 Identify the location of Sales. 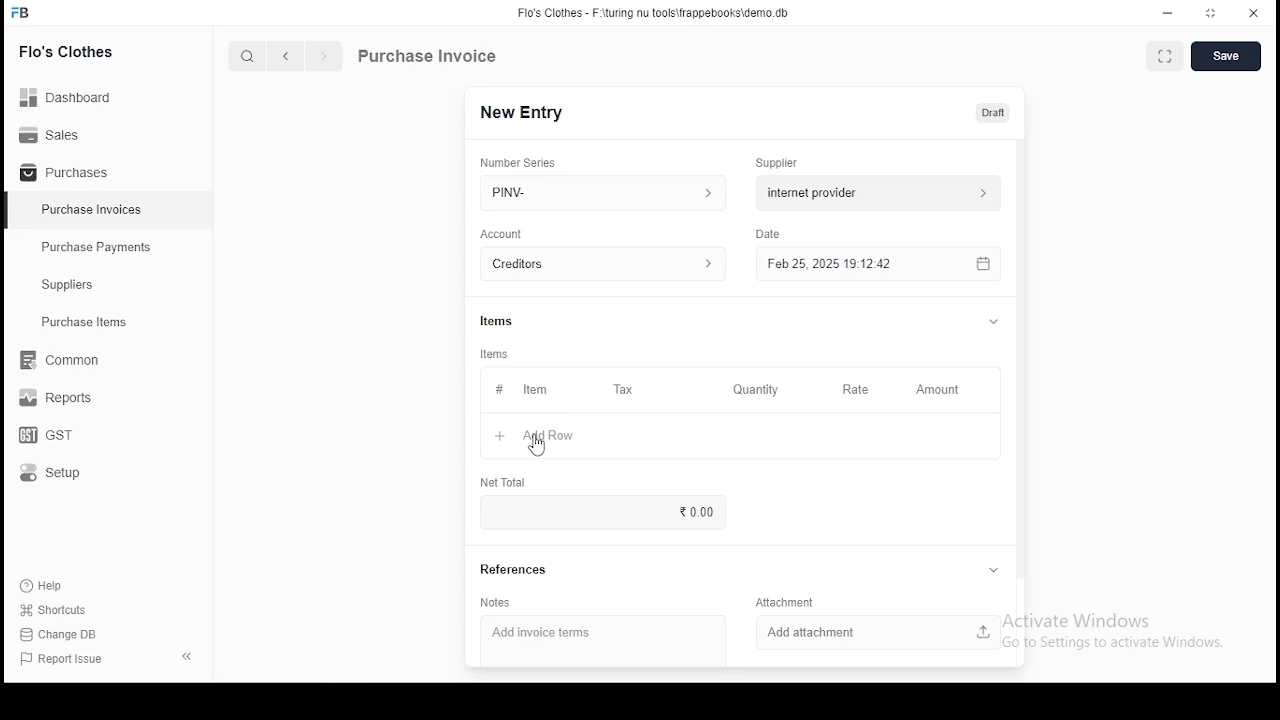
(55, 133).